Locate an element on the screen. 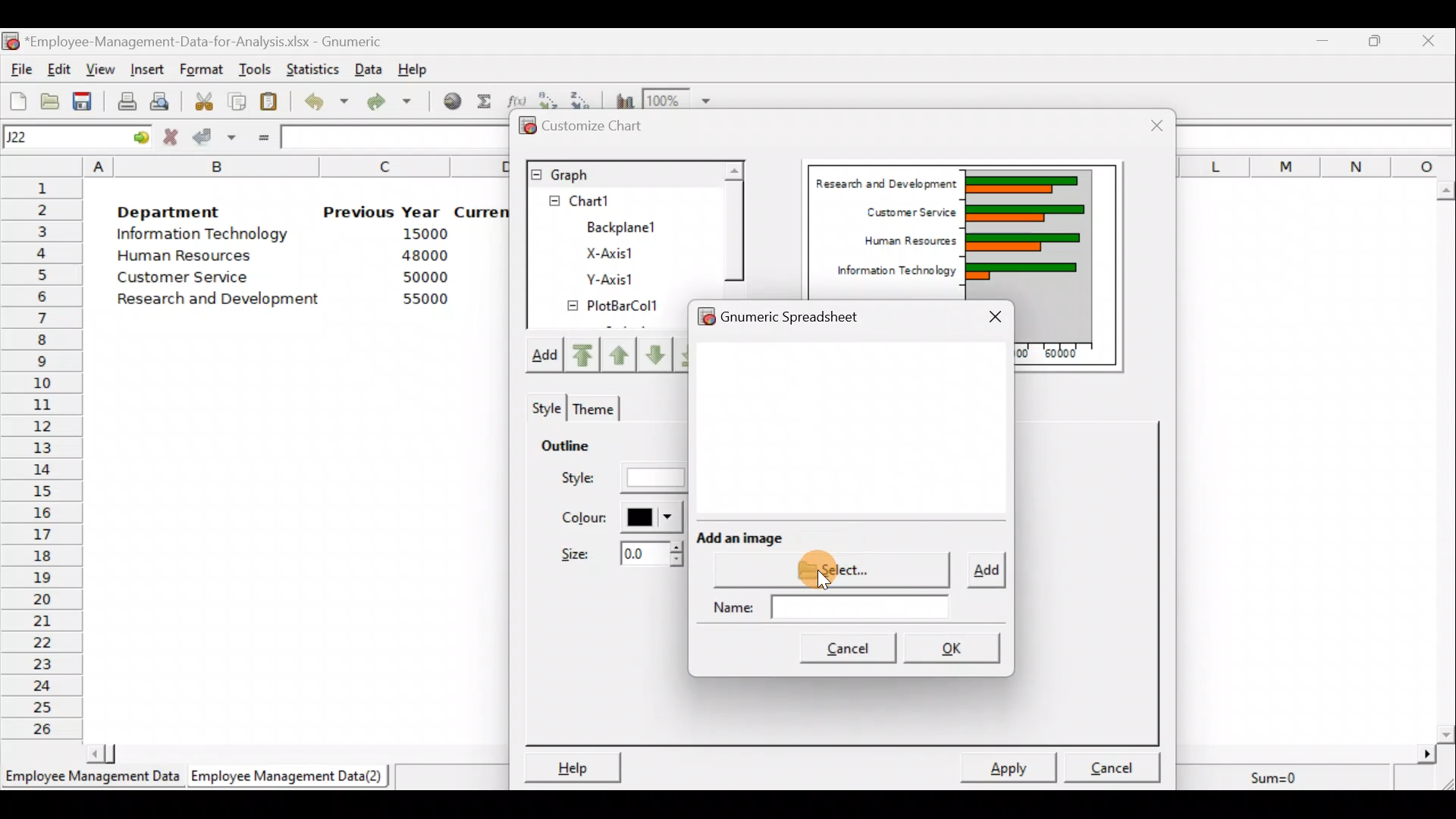  Outline is located at coordinates (587, 448).